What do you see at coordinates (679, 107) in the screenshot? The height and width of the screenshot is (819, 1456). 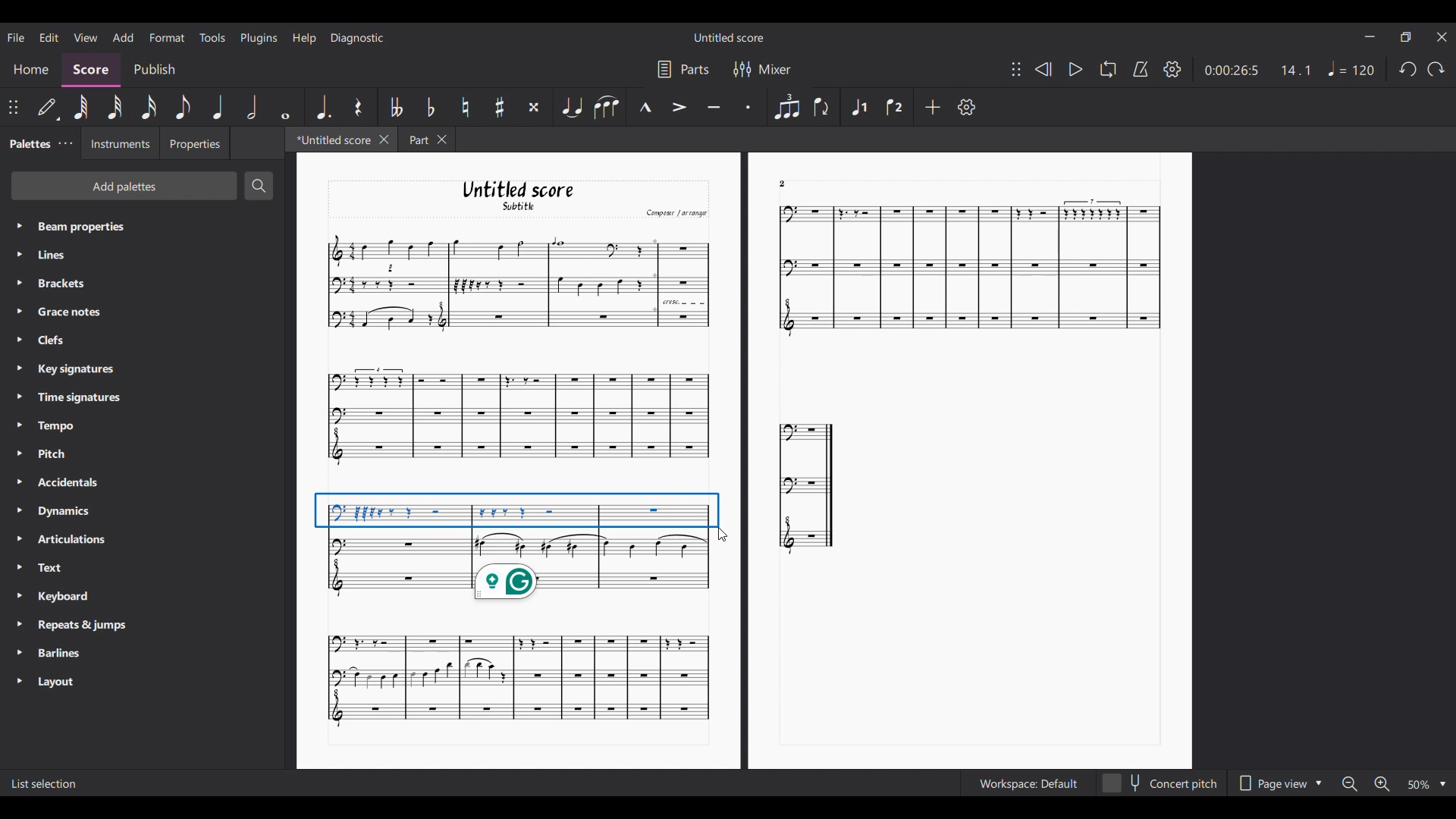 I see `Accent` at bounding box center [679, 107].